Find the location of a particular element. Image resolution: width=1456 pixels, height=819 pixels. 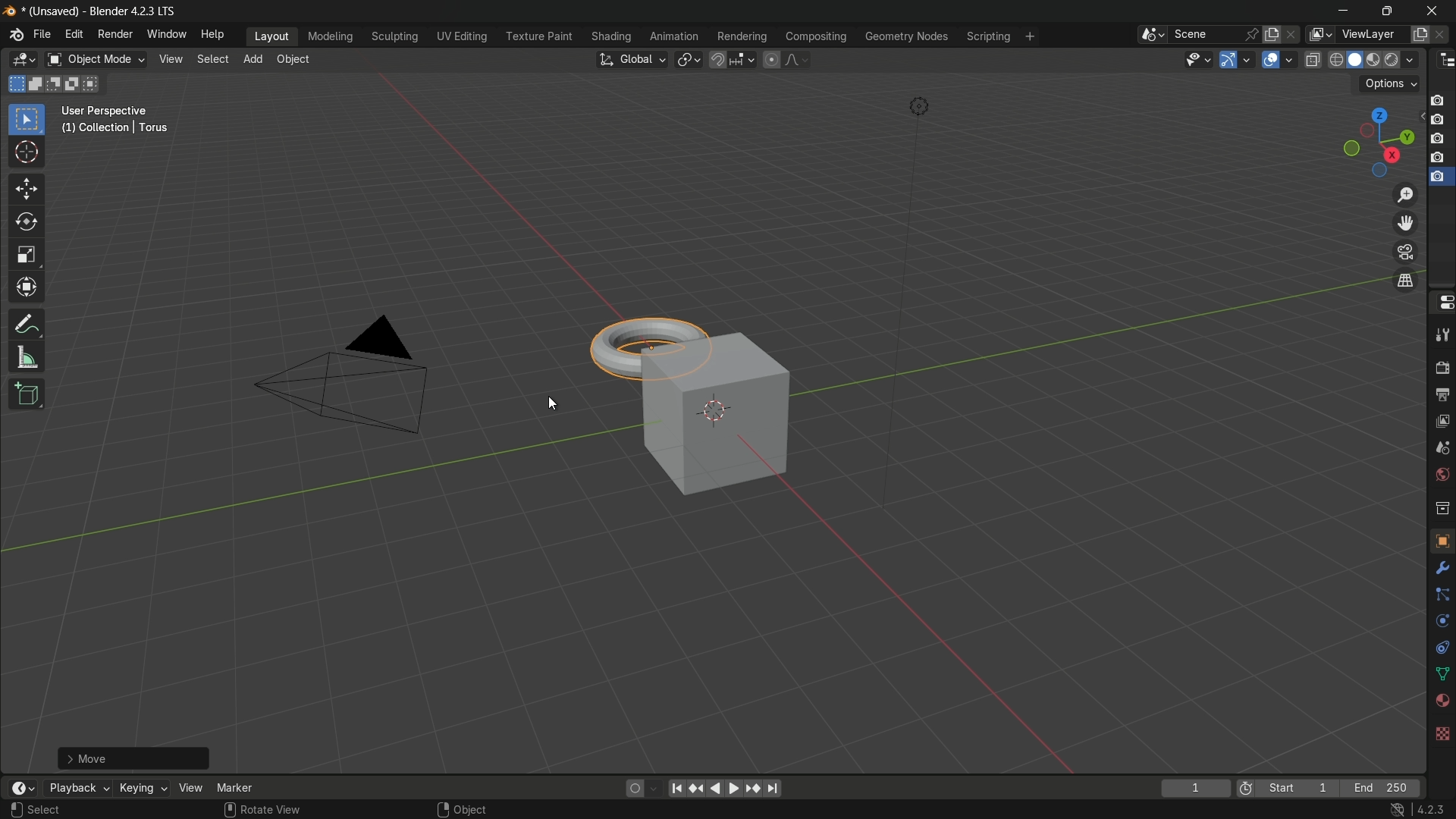

remove layer is located at coordinates (1442, 34).